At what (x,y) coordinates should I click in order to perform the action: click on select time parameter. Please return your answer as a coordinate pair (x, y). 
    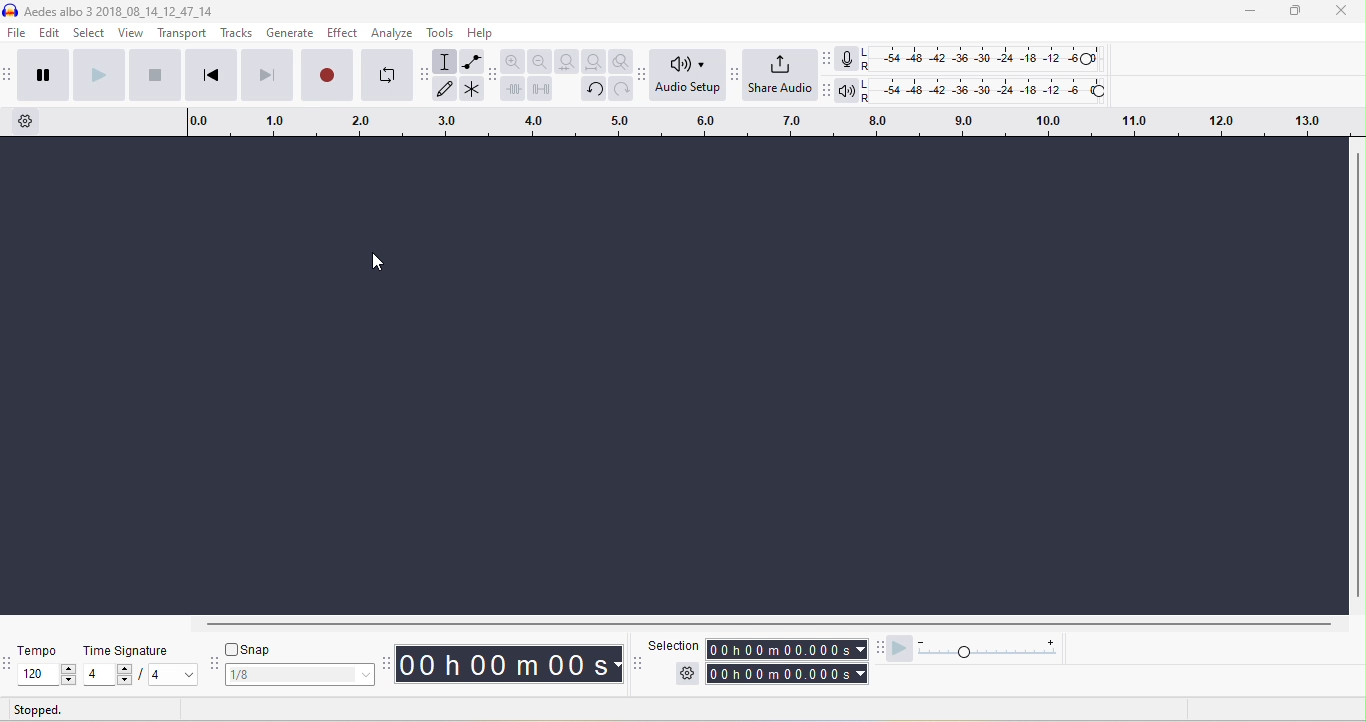
    Looking at the image, I should click on (861, 674).